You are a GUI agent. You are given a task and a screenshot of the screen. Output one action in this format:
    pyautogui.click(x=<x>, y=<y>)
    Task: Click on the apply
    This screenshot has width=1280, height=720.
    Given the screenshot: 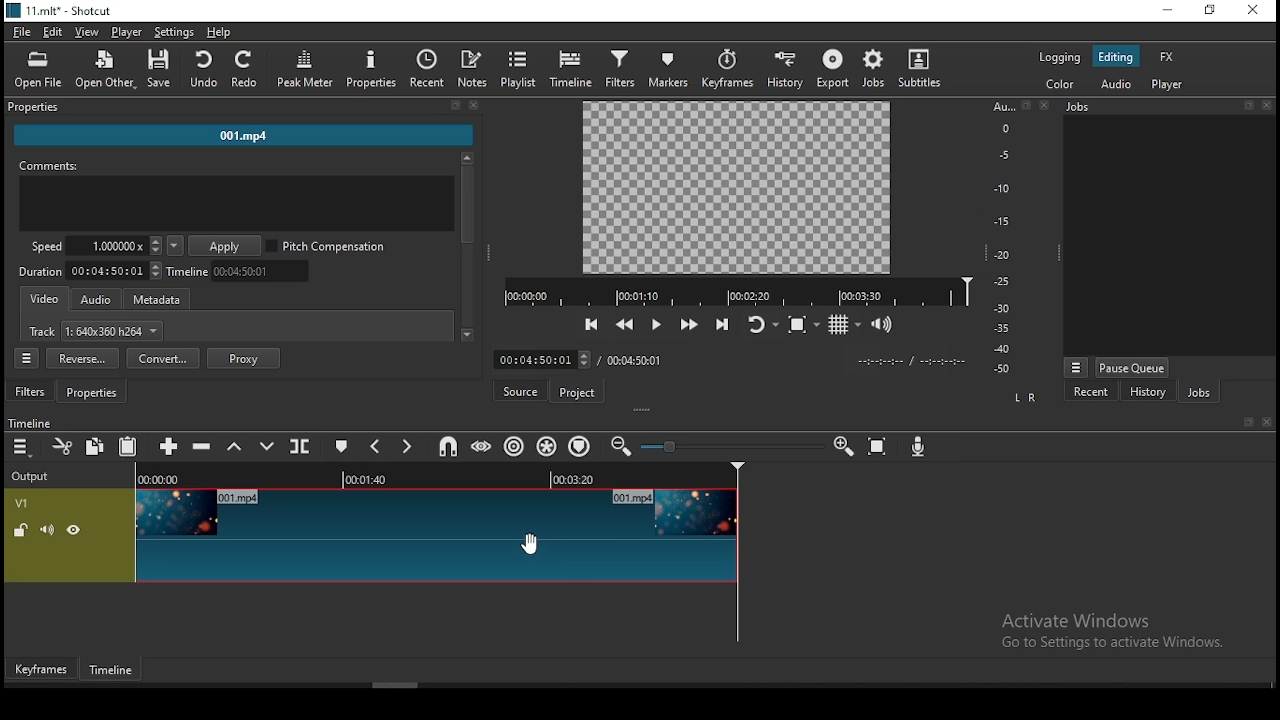 What is the action you would take?
    pyautogui.click(x=225, y=246)
    